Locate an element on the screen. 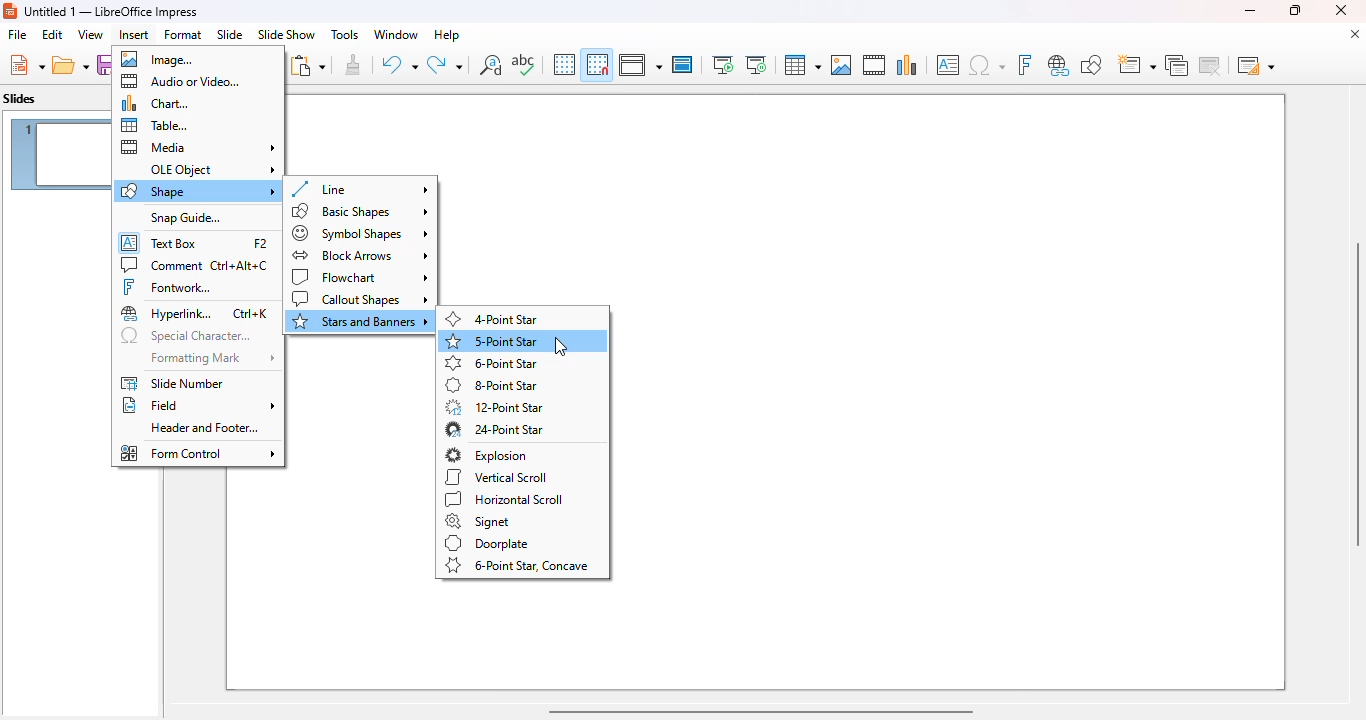 This screenshot has height=720, width=1366. vertical scroll is located at coordinates (495, 477).